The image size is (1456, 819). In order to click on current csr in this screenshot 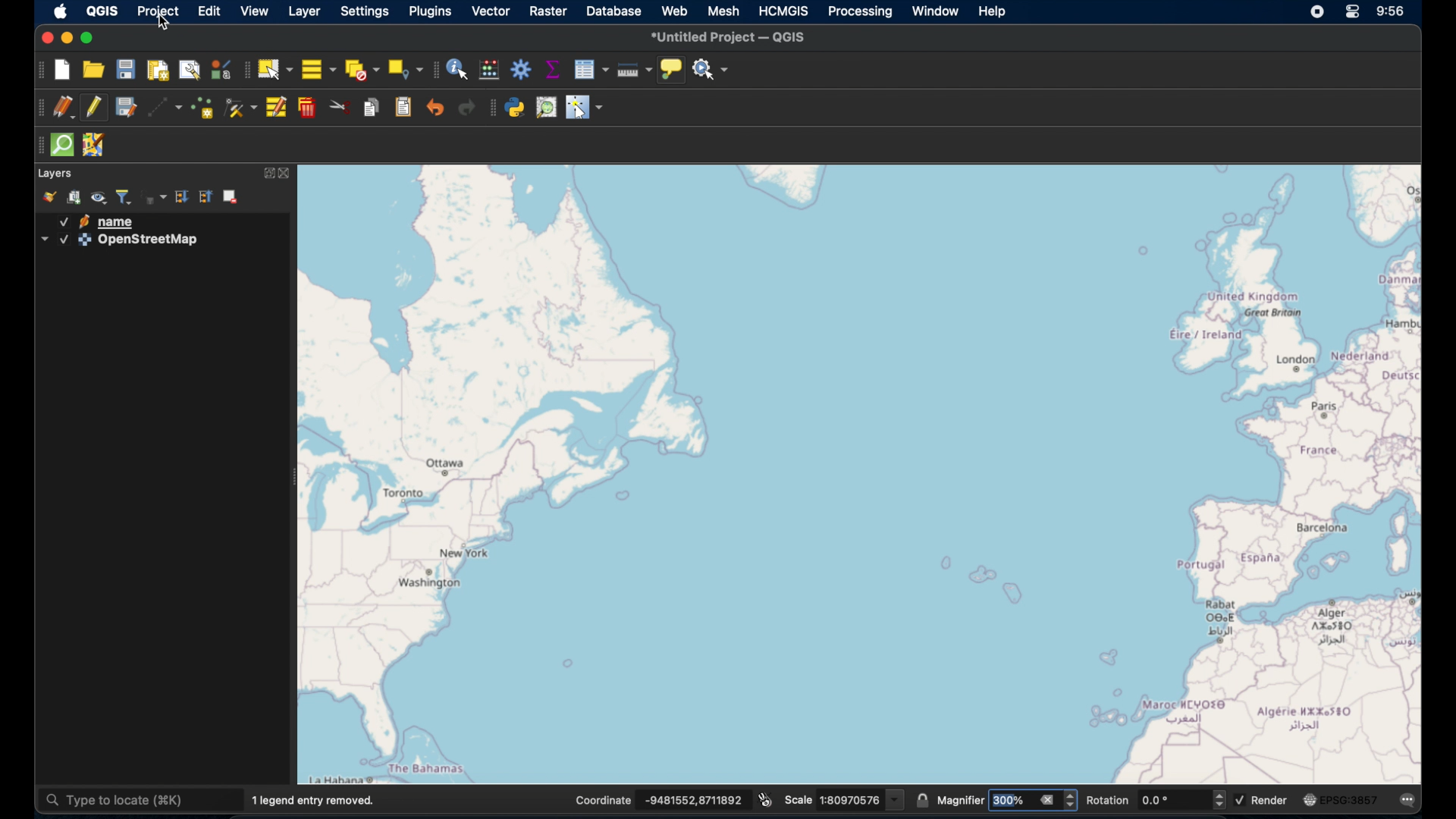, I will do `click(1341, 800)`.